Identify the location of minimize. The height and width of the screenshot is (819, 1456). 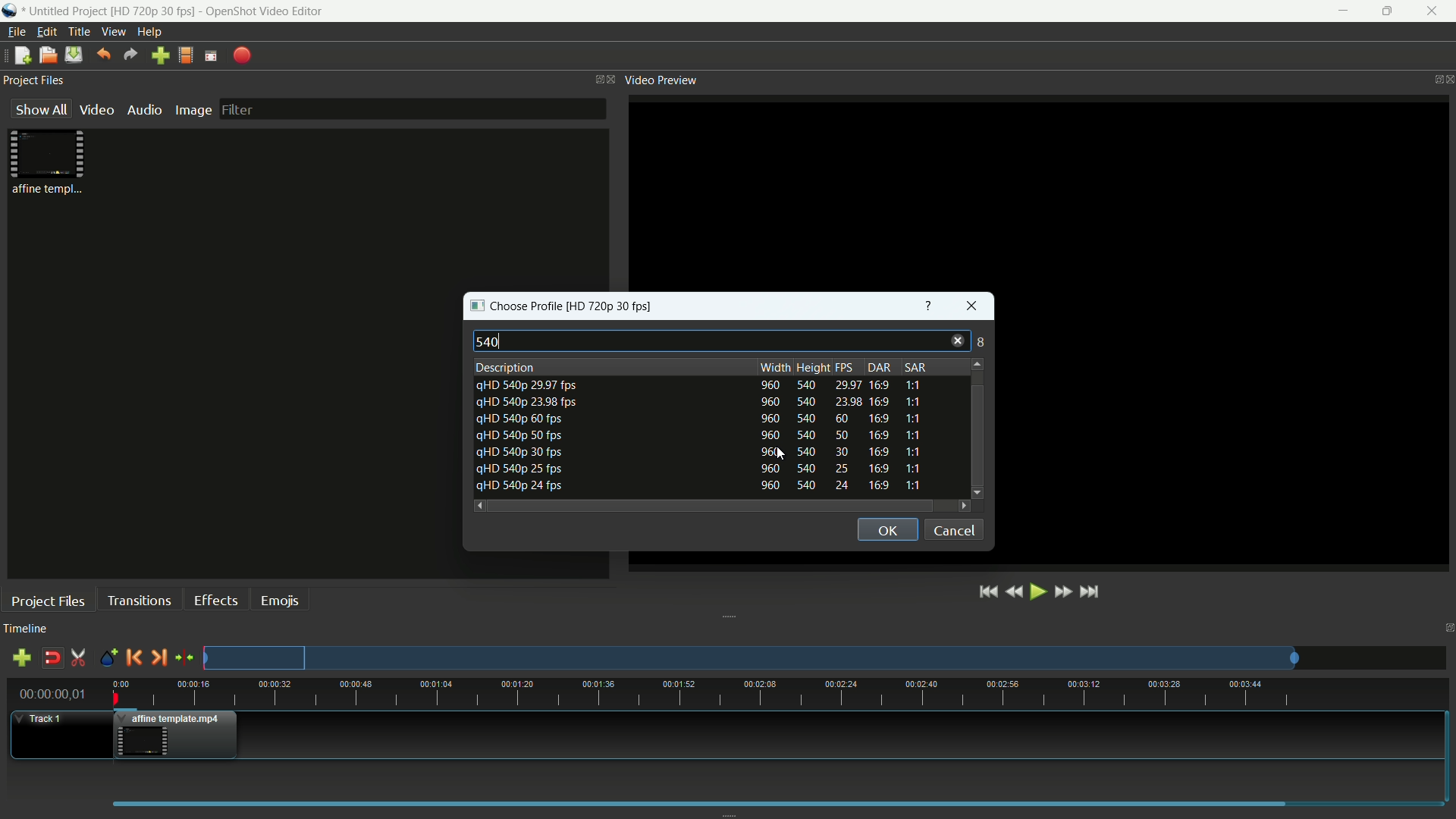
(1341, 11).